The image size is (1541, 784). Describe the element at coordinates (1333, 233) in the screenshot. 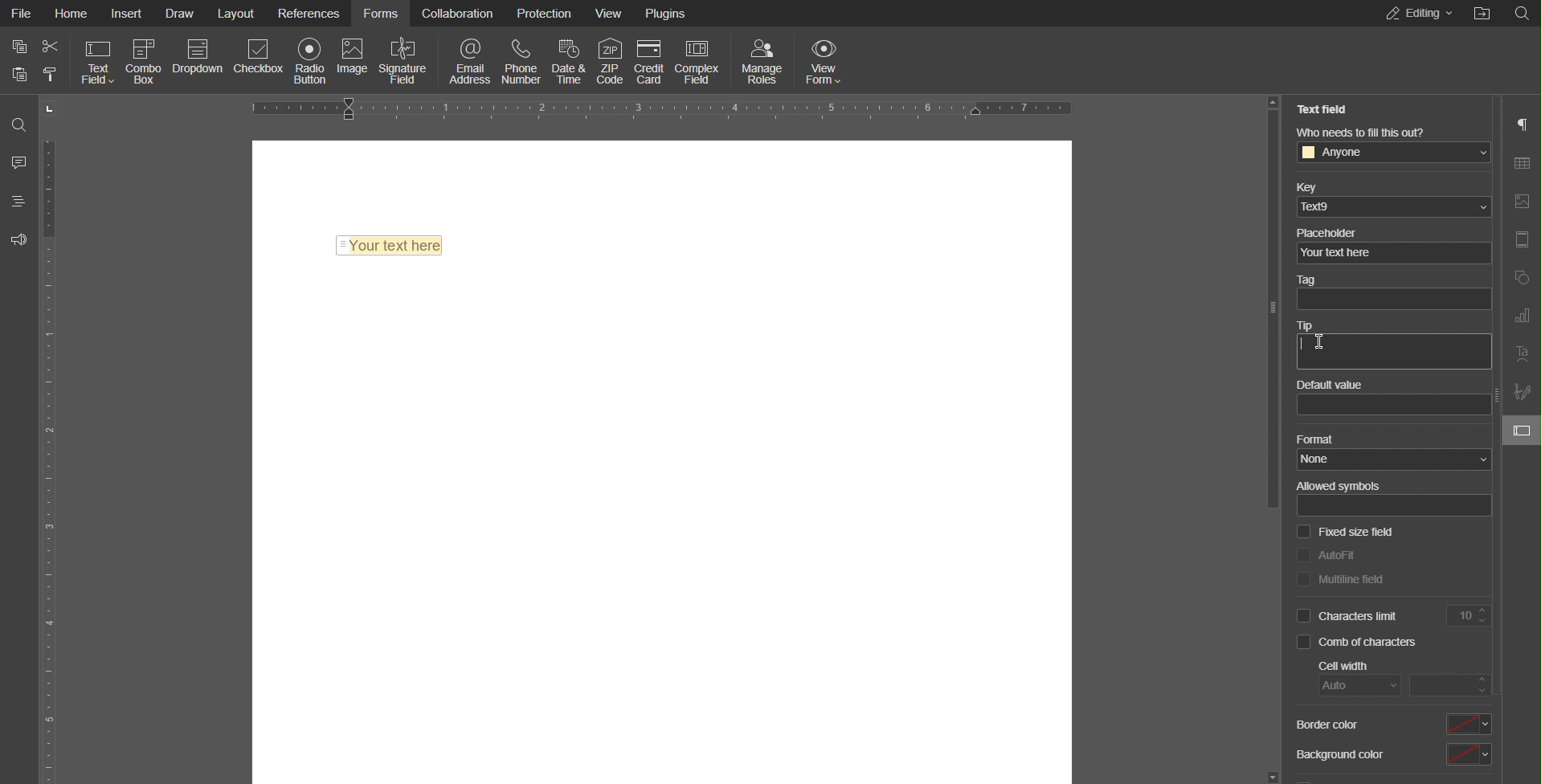

I see `Placeholder` at that location.